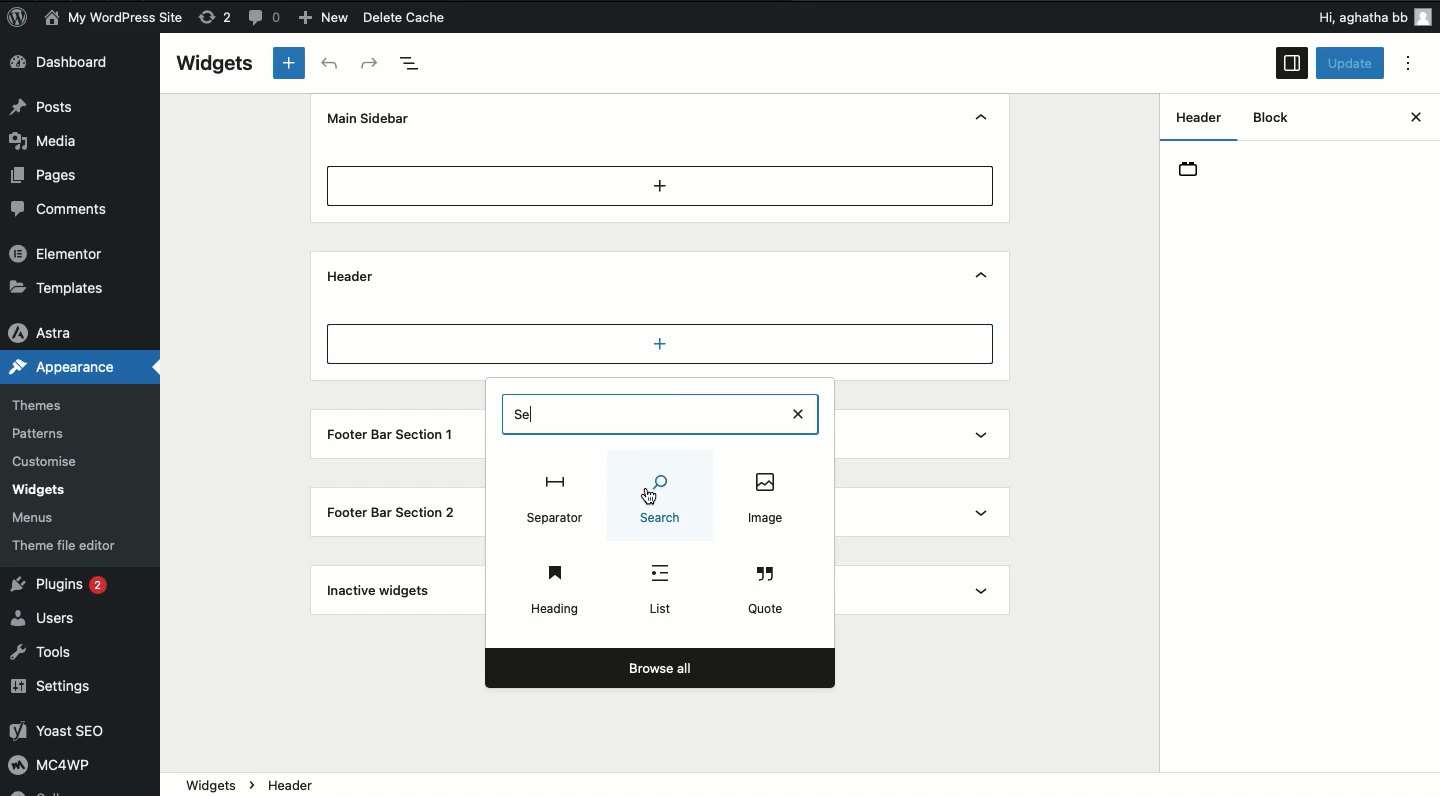  I want to click on Yoast SEO, so click(73, 733).